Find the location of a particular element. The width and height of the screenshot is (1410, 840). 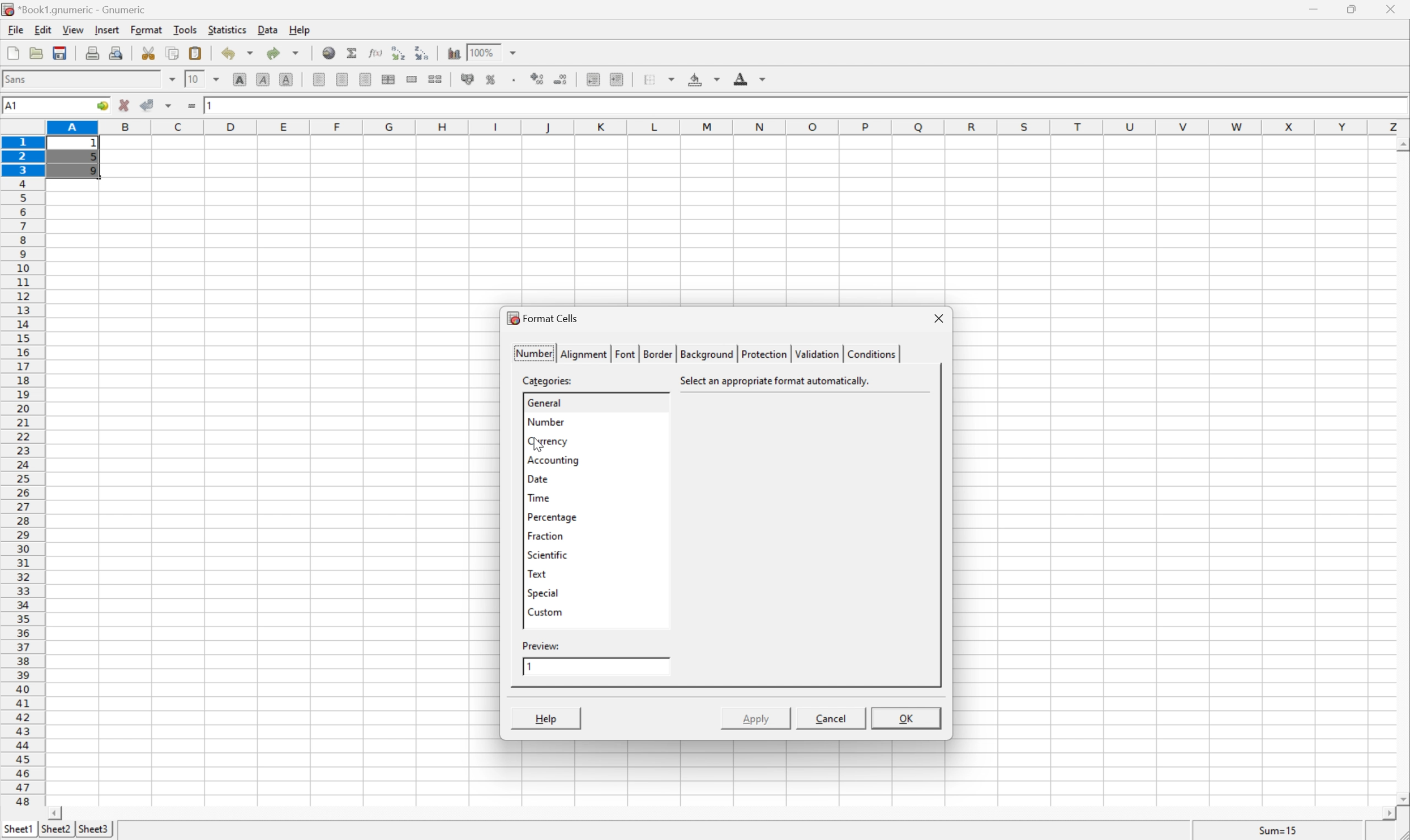

background is located at coordinates (704, 78).